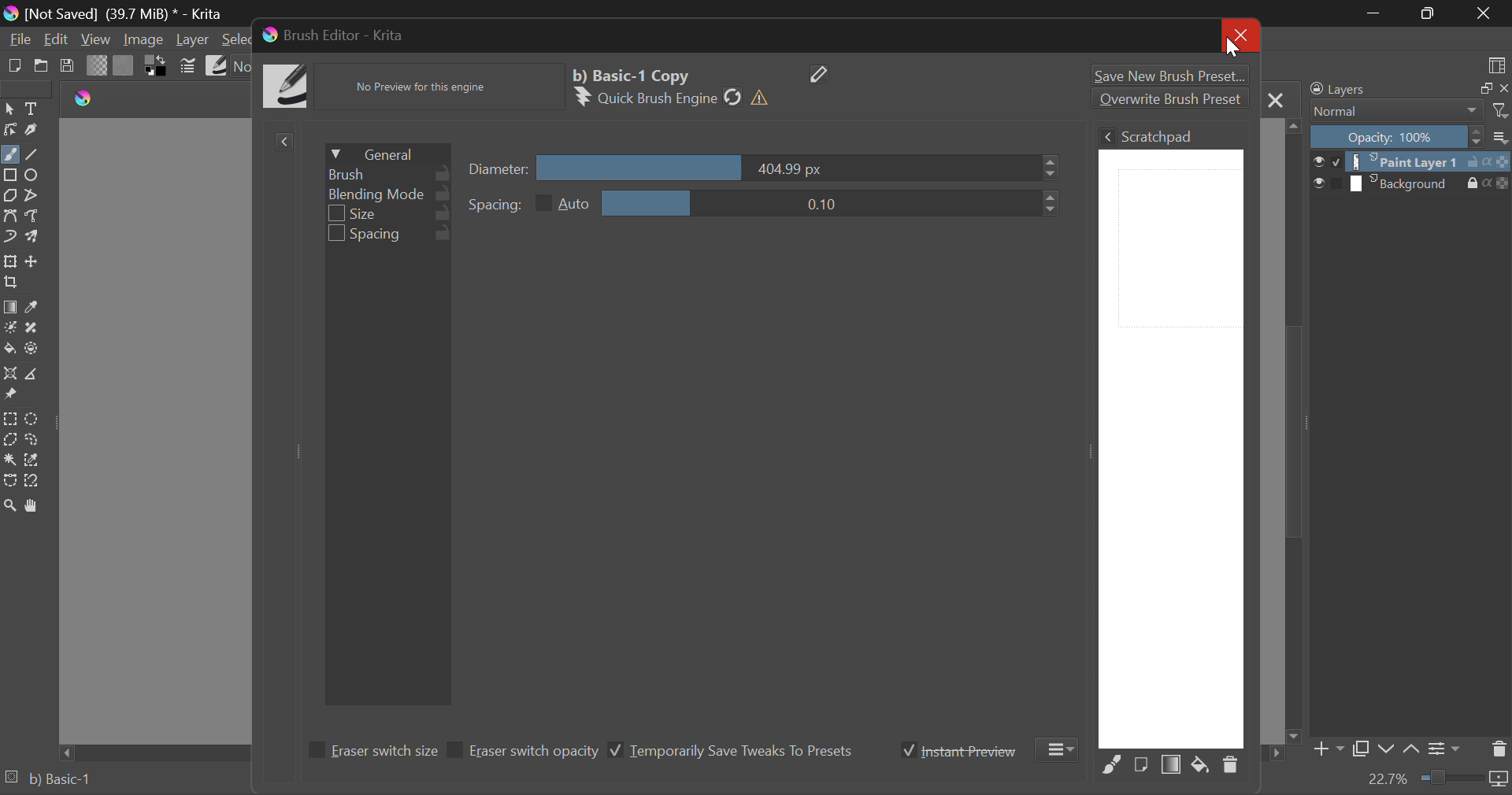  What do you see at coordinates (764, 203) in the screenshot?
I see `Spacing` at bounding box center [764, 203].